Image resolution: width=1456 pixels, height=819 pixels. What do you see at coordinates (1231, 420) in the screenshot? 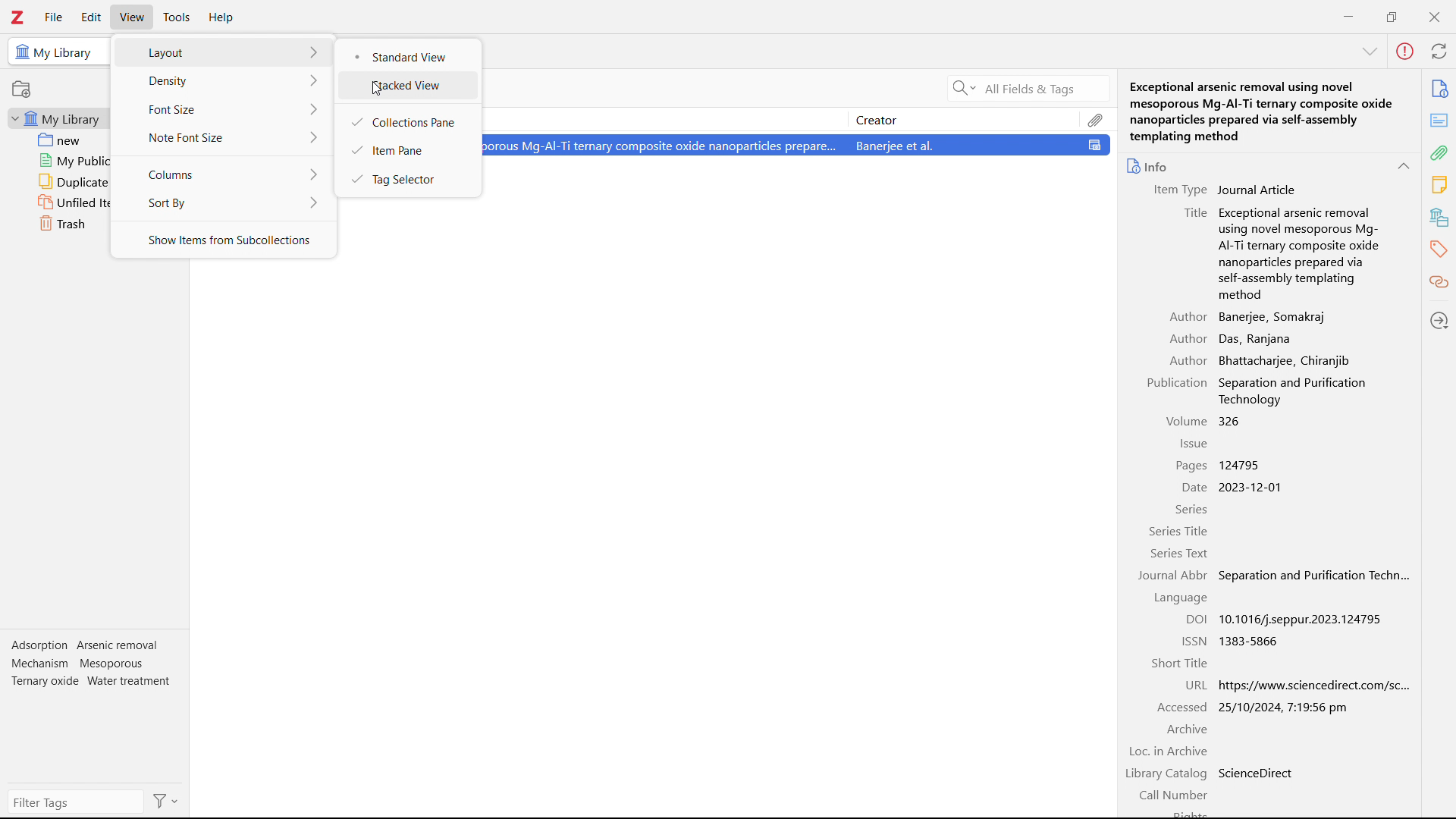
I see `326` at bounding box center [1231, 420].